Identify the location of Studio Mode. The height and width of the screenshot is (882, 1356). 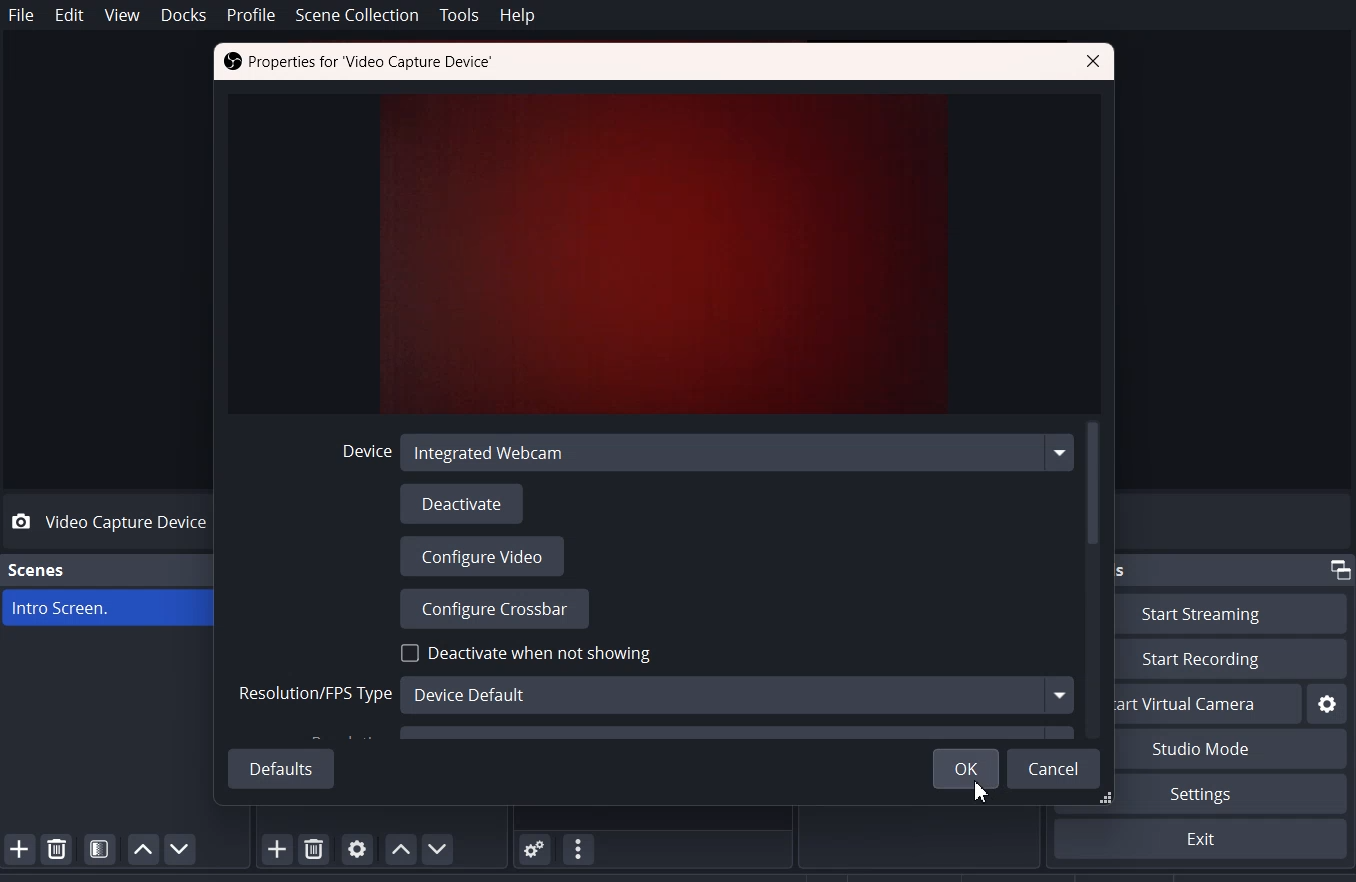
(1229, 749).